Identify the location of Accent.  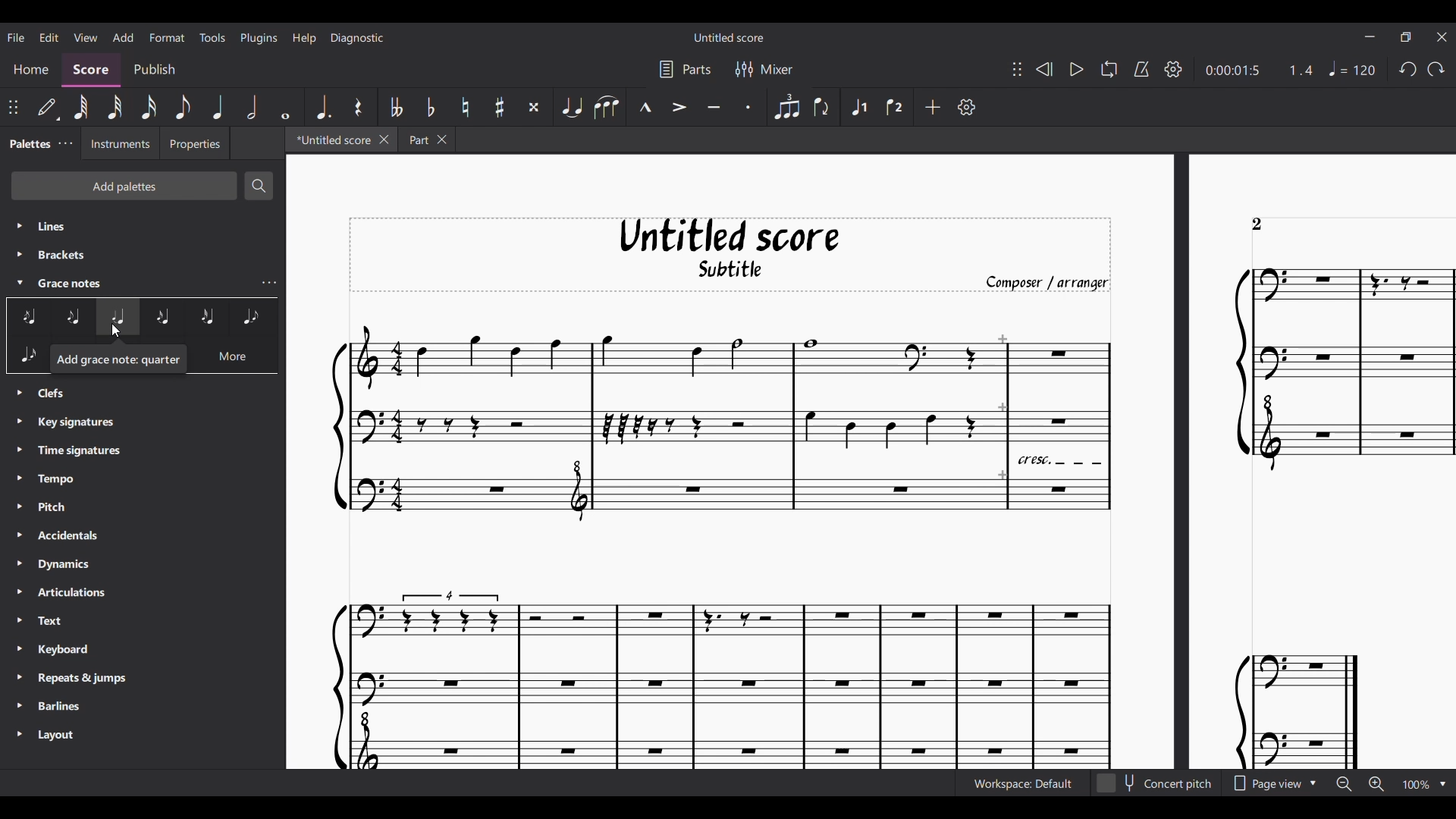
(678, 106).